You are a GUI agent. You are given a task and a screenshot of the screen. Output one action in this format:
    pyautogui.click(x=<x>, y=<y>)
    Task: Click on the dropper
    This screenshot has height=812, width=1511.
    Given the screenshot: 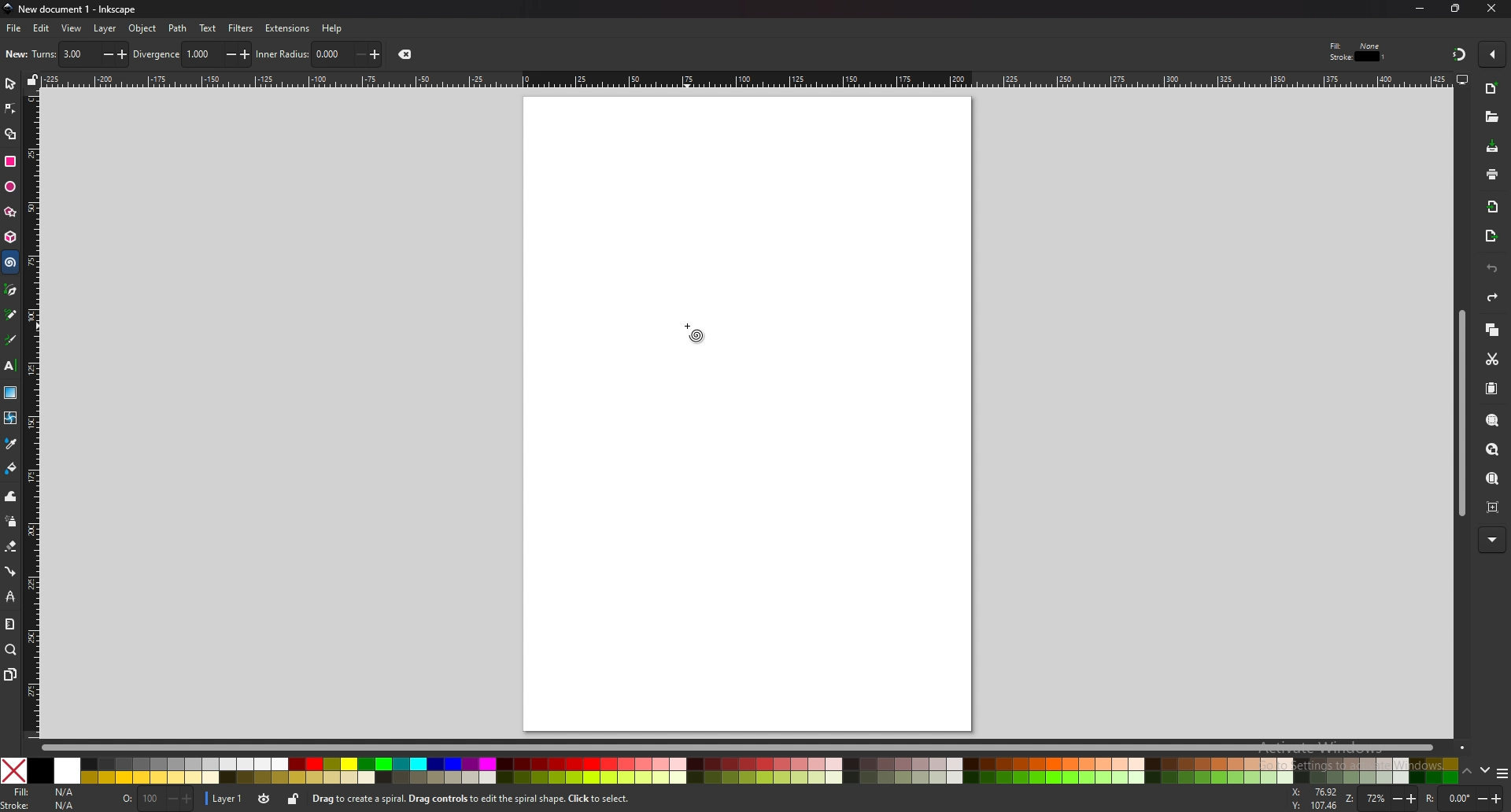 What is the action you would take?
    pyautogui.click(x=12, y=444)
    